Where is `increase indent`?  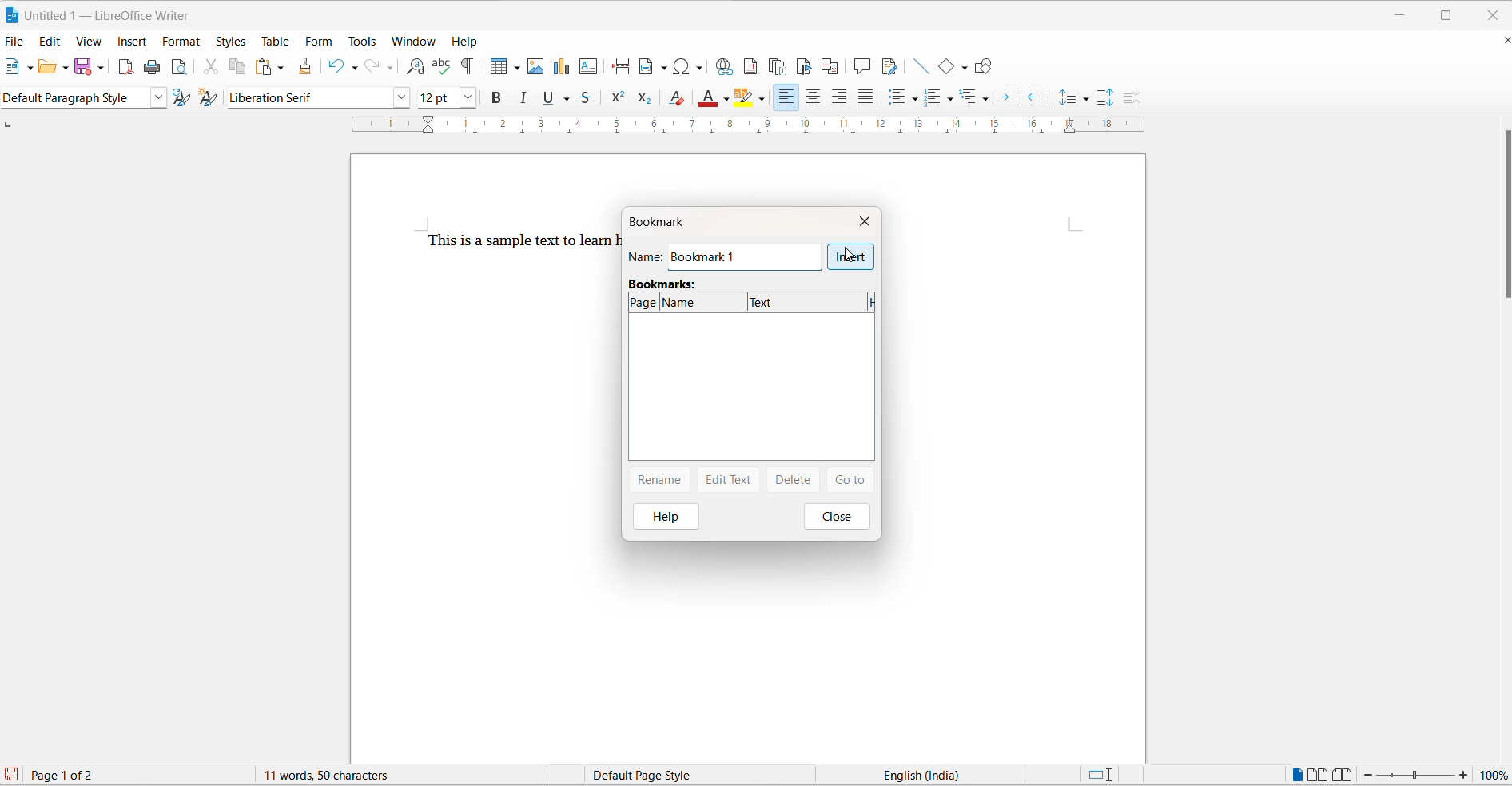 increase indent is located at coordinates (1009, 95).